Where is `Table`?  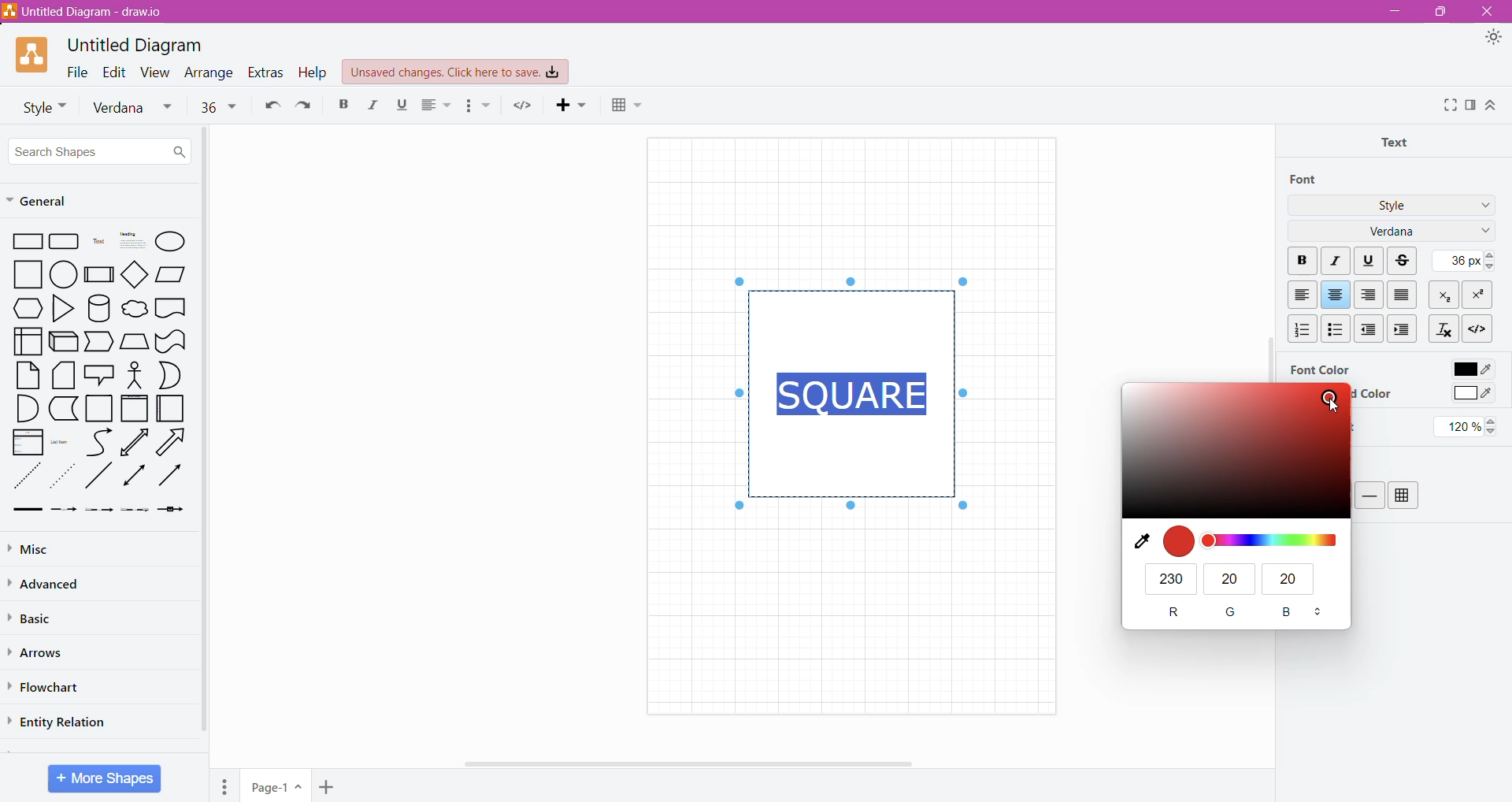 Table is located at coordinates (1403, 496).